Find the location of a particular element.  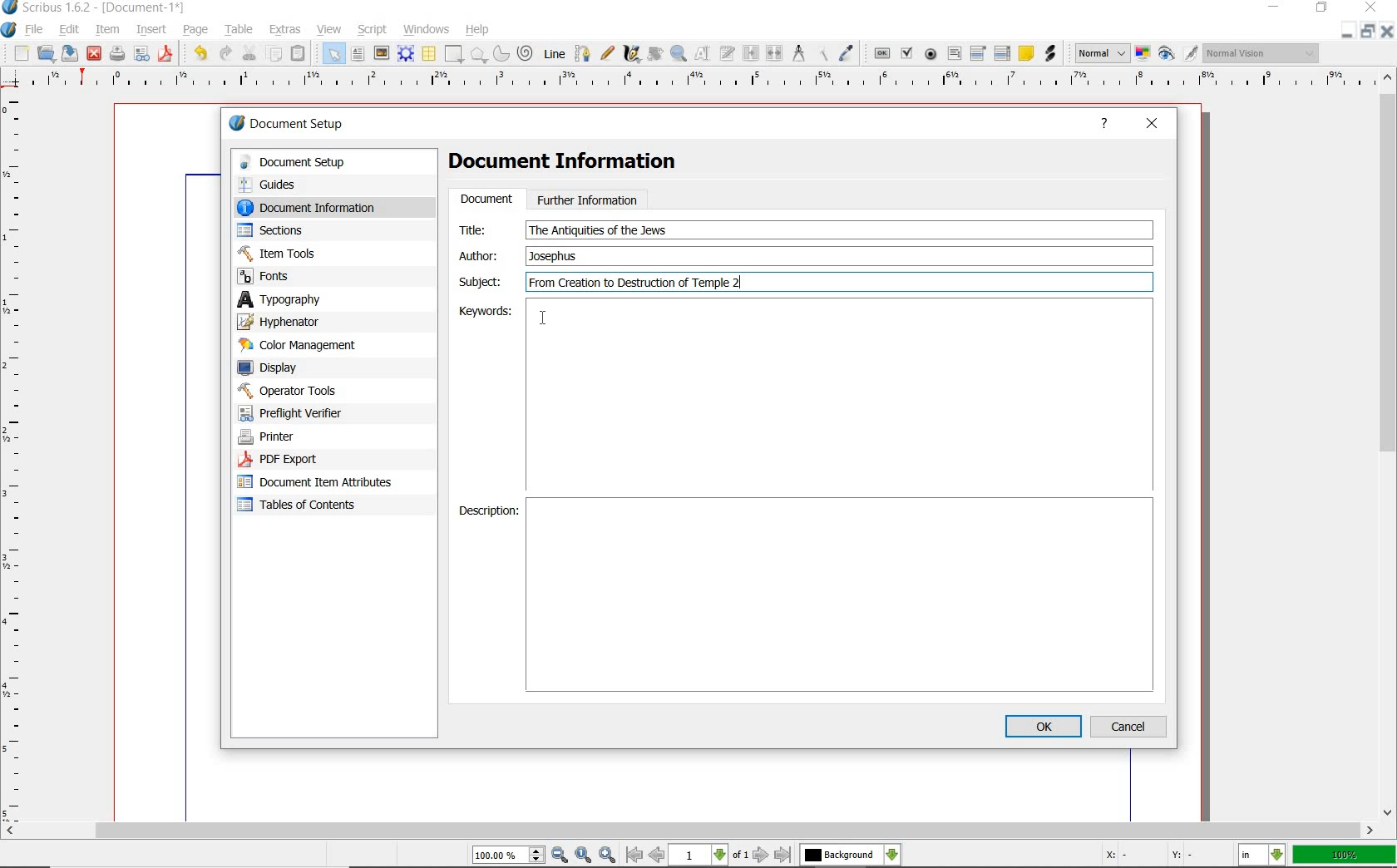

text is located at coordinates (598, 230).